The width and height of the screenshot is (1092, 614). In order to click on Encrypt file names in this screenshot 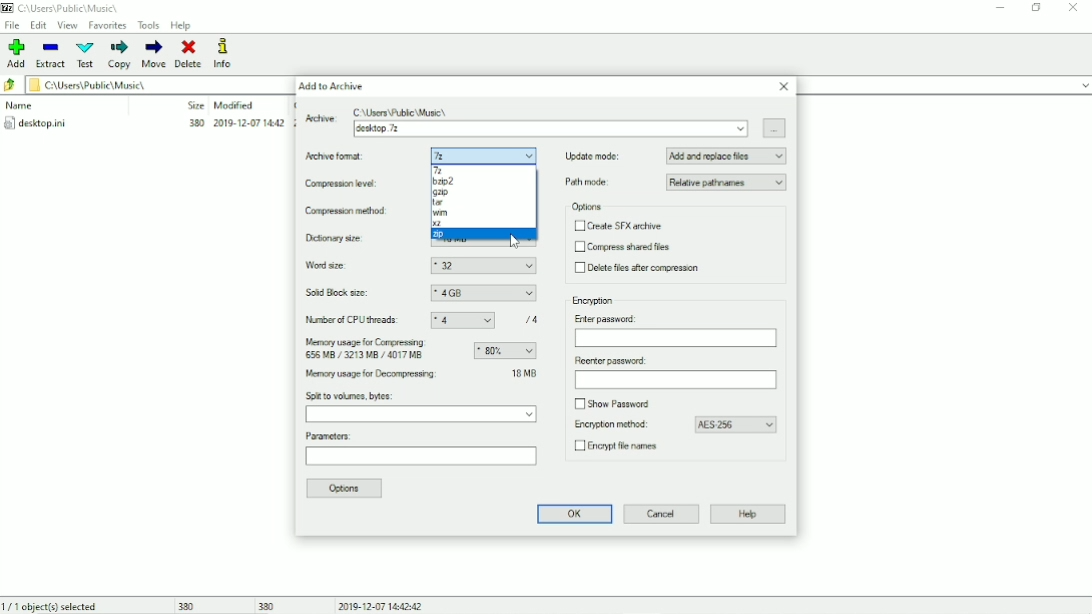, I will do `click(623, 448)`.